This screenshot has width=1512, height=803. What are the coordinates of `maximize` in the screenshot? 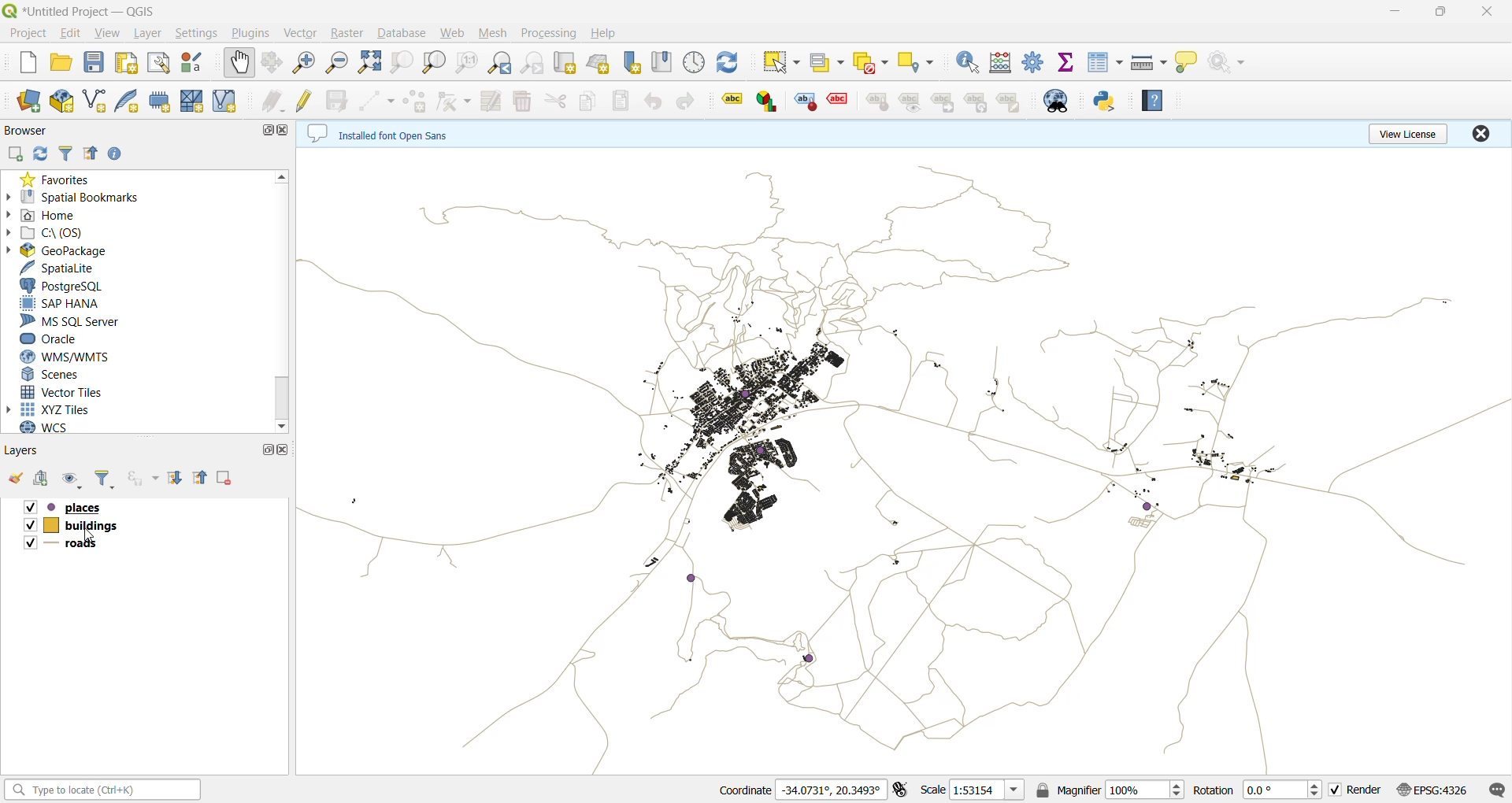 It's located at (264, 131).